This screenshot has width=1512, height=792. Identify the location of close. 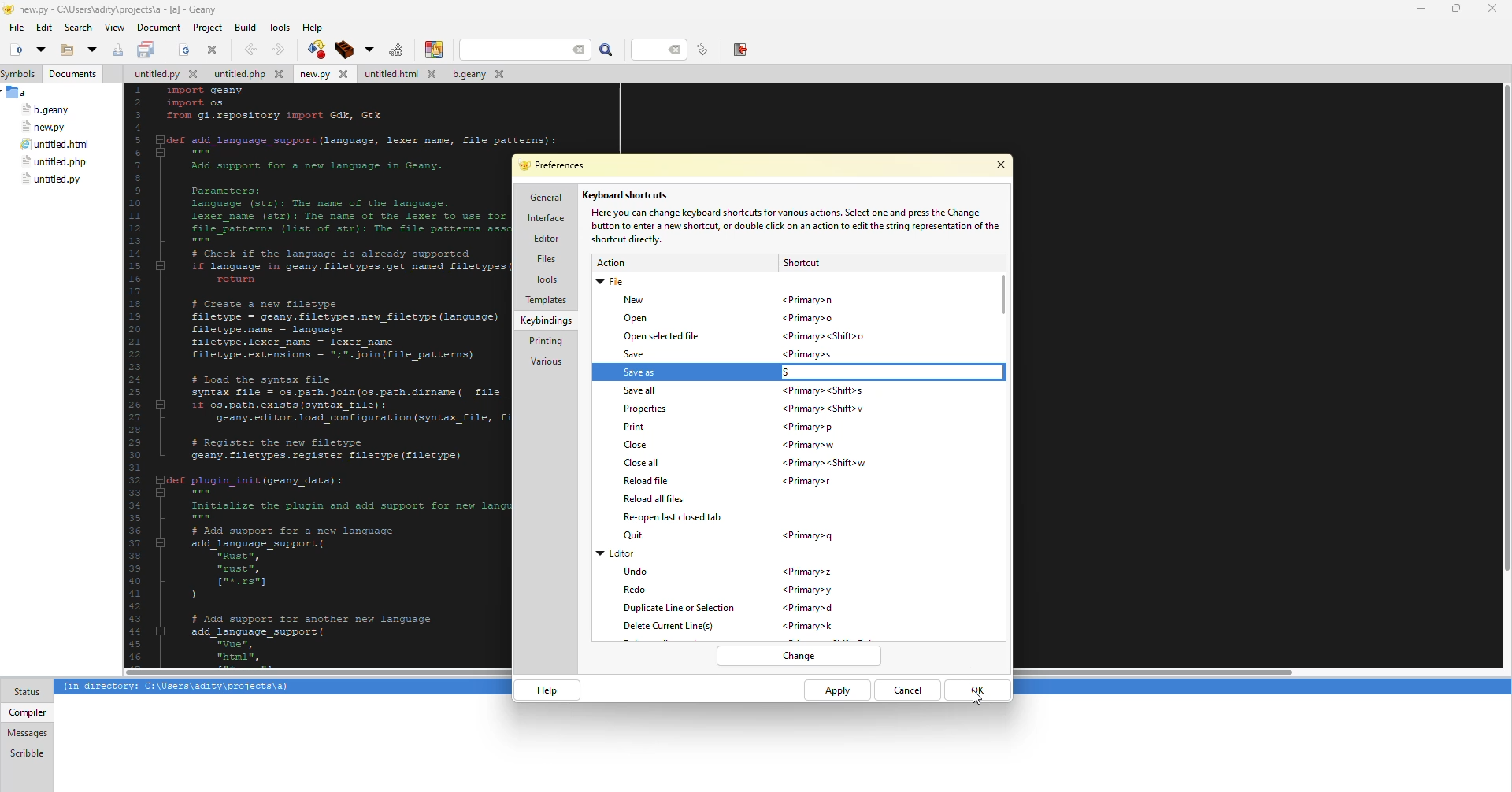
(1000, 166).